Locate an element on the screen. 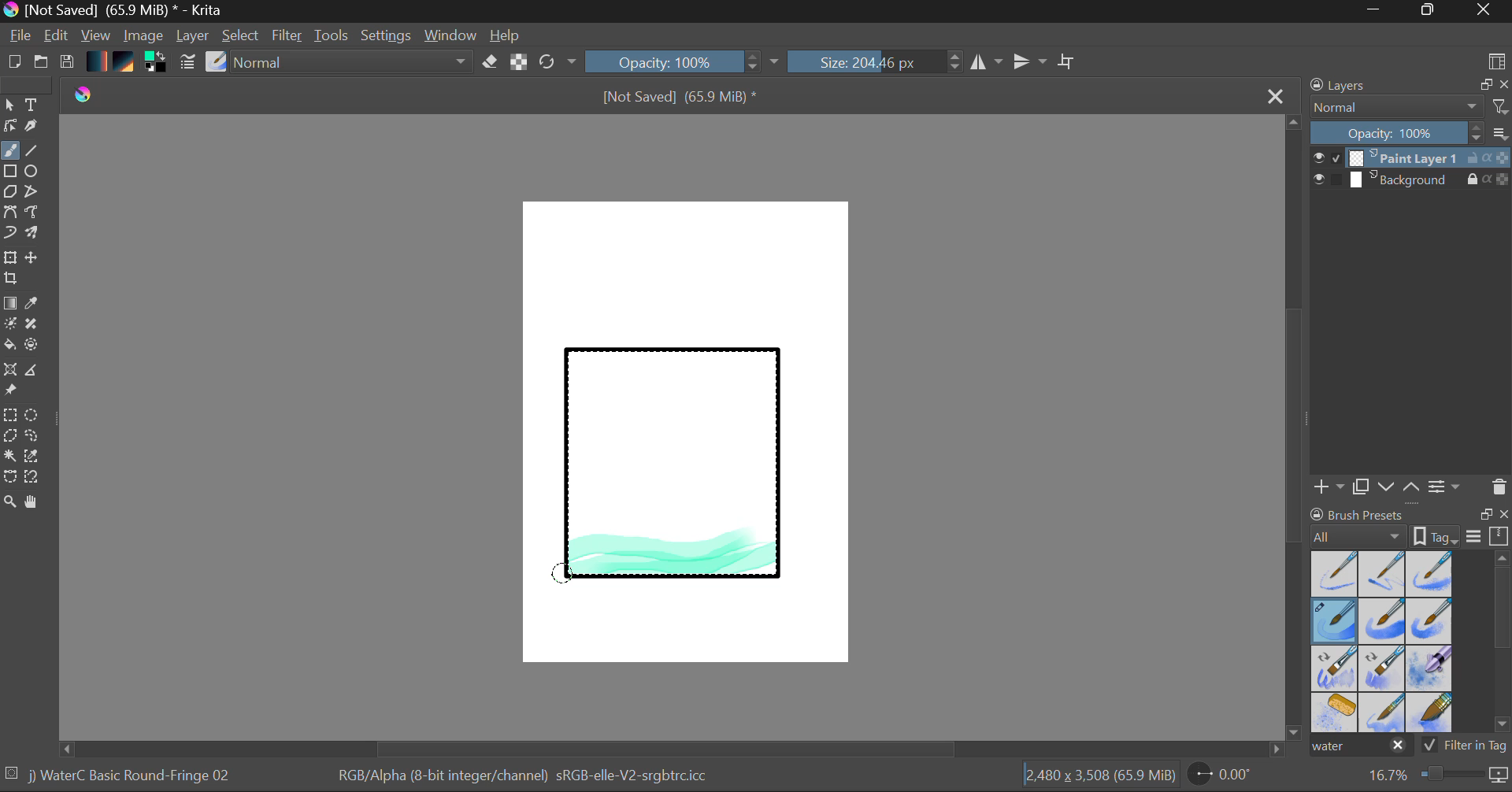 The height and width of the screenshot is (792, 1512). Water C - Wet Pattern is located at coordinates (1429, 574).